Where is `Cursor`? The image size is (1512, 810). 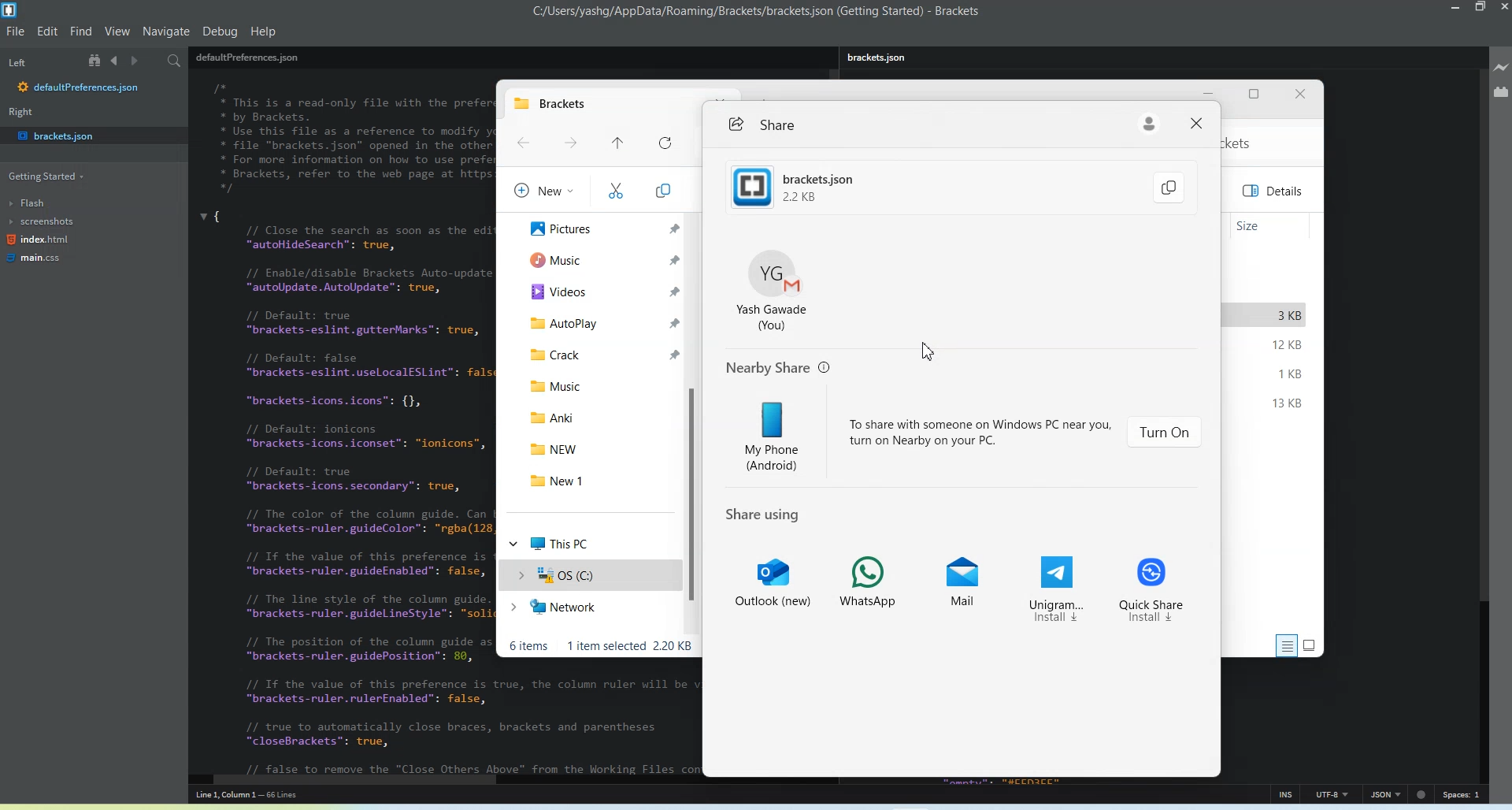 Cursor is located at coordinates (929, 352).